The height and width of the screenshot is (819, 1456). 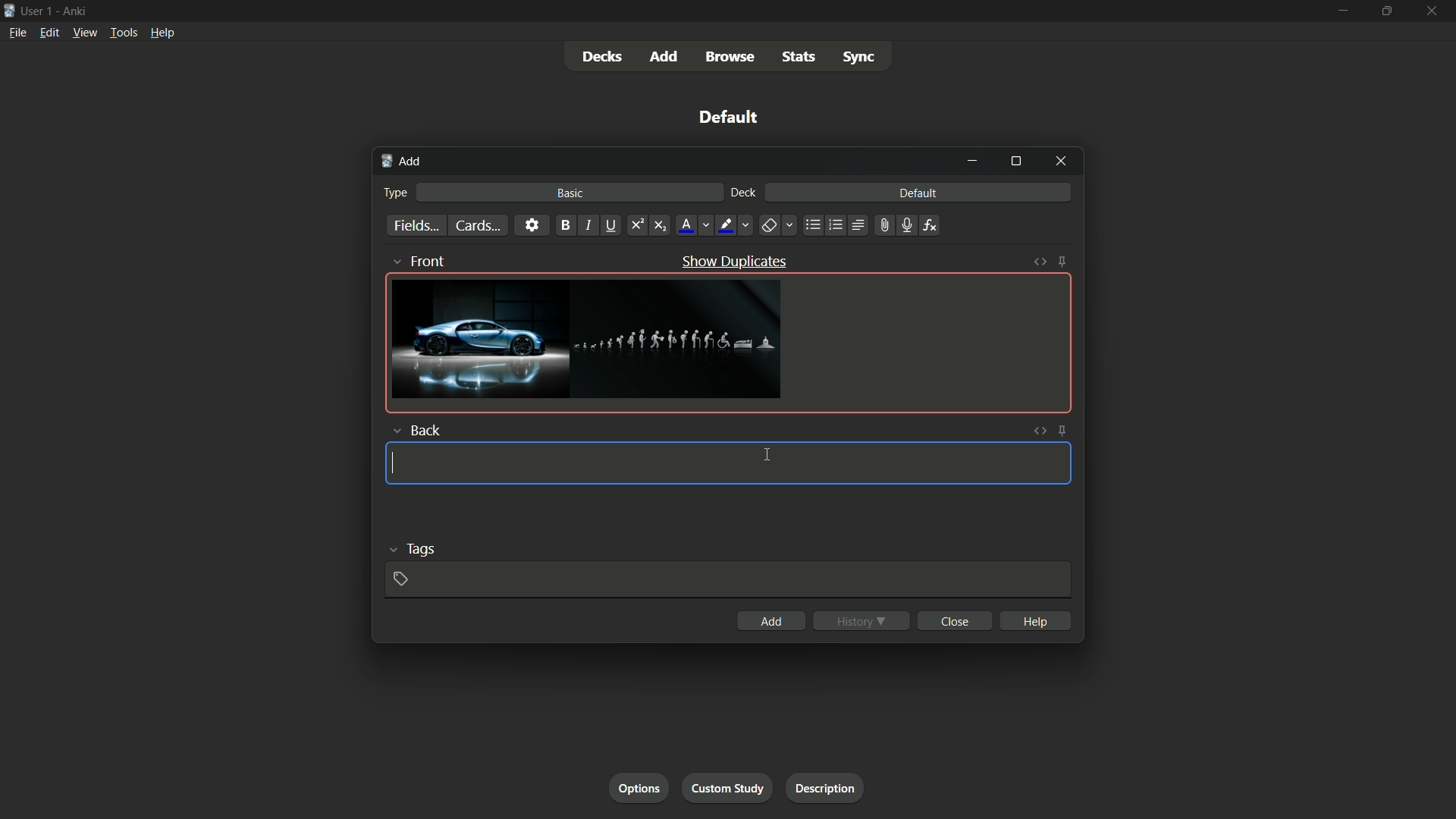 I want to click on front, so click(x=422, y=259).